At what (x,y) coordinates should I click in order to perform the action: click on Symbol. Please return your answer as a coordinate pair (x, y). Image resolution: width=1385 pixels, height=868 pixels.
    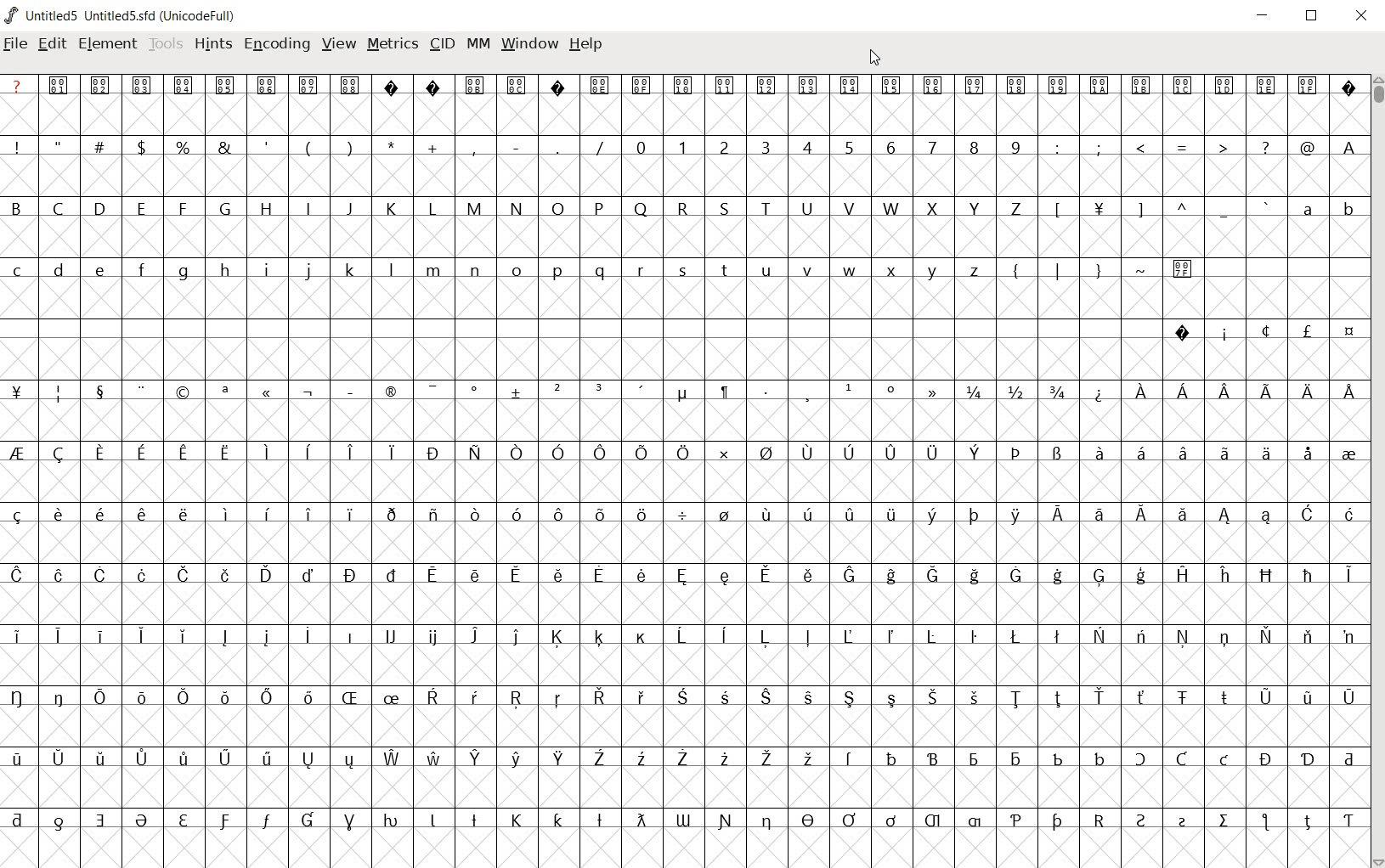
    Looking at the image, I should click on (1268, 518).